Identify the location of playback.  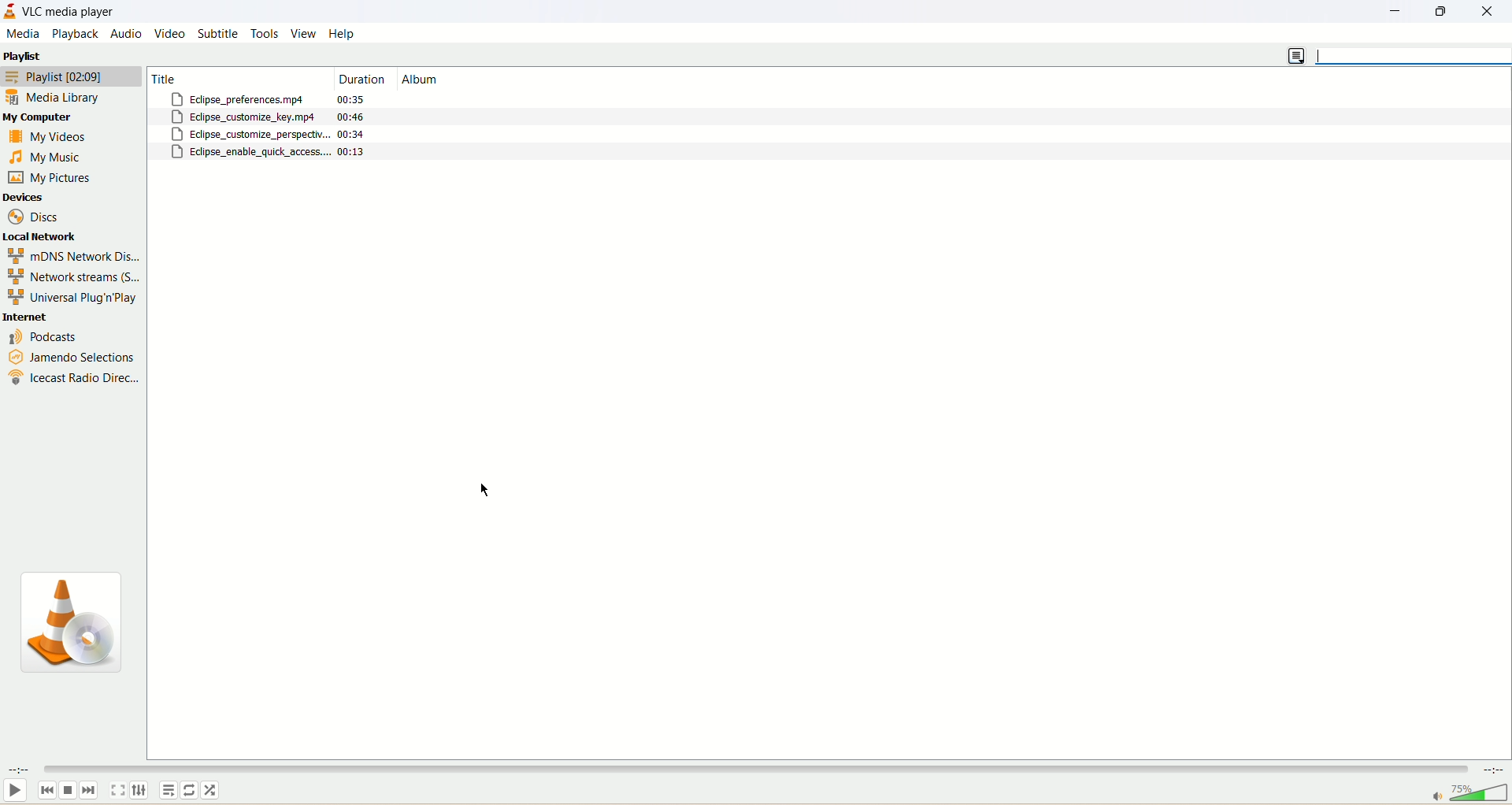
(74, 34).